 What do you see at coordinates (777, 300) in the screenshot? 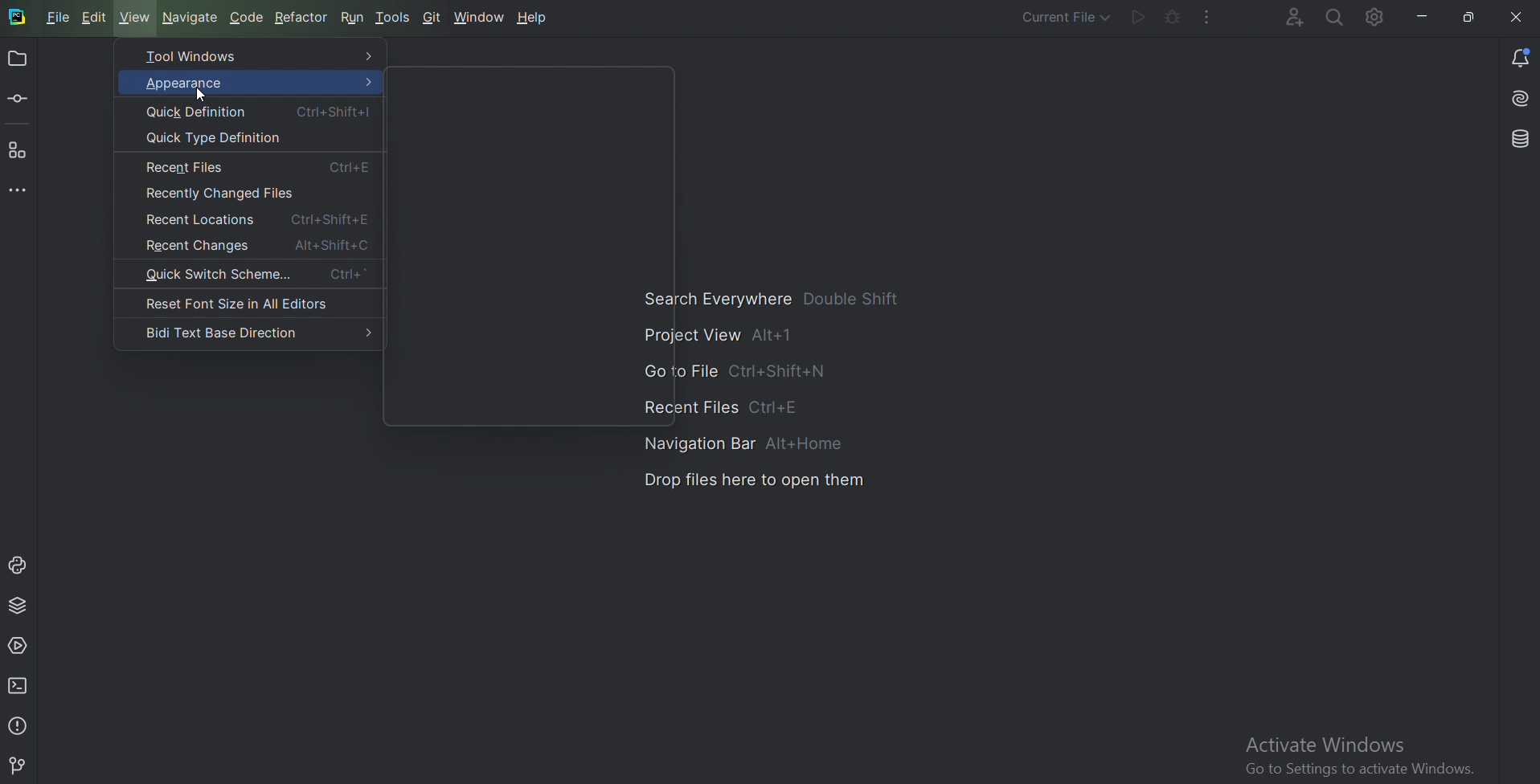
I see `Search Everywhere` at bounding box center [777, 300].